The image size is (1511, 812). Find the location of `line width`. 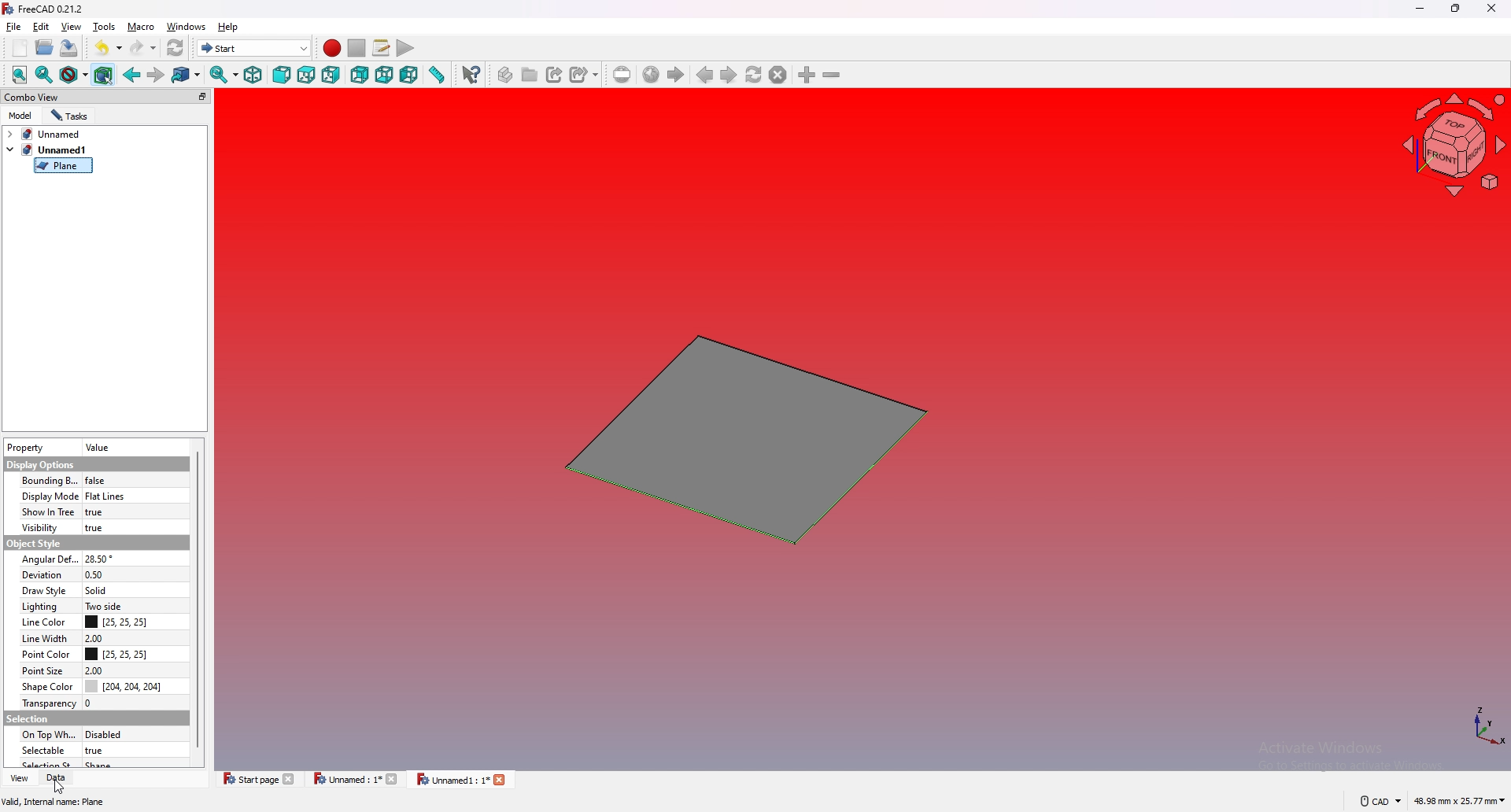

line width is located at coordinates (41, 639).